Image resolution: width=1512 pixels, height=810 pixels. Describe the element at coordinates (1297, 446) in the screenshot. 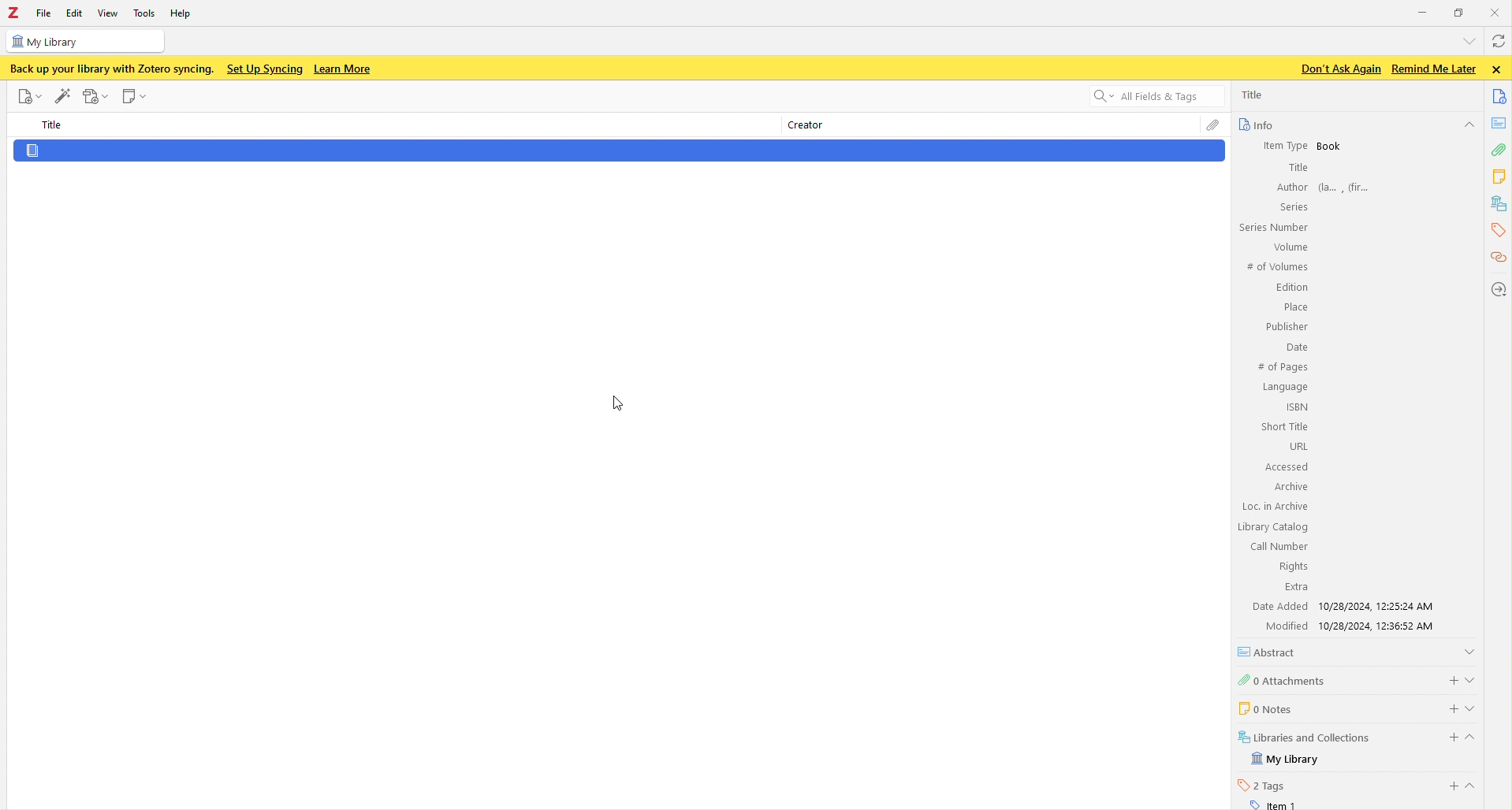

I see `URL` at that location.